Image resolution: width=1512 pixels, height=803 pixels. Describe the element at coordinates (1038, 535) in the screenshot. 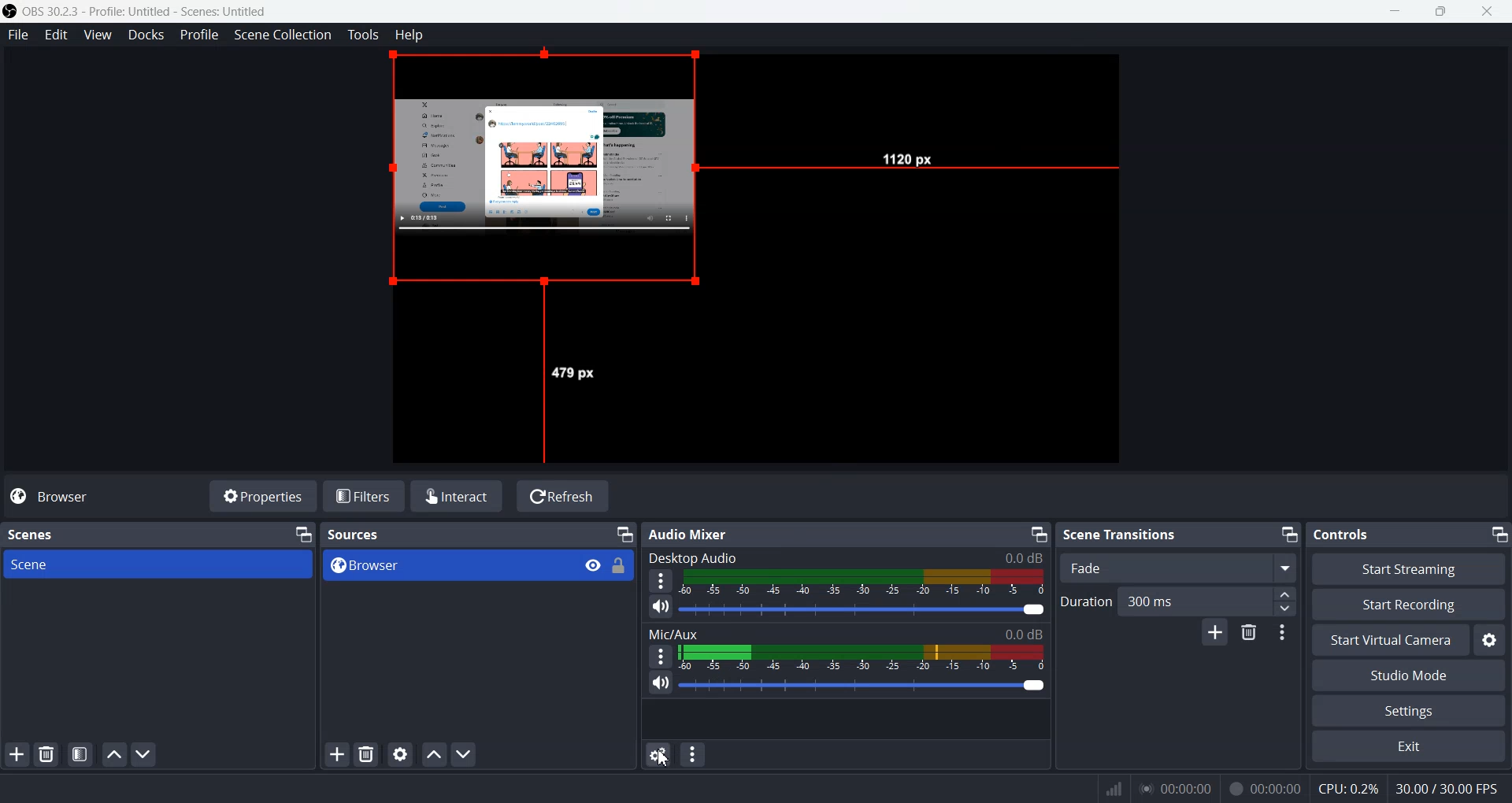

I see `Minimize` at that location.